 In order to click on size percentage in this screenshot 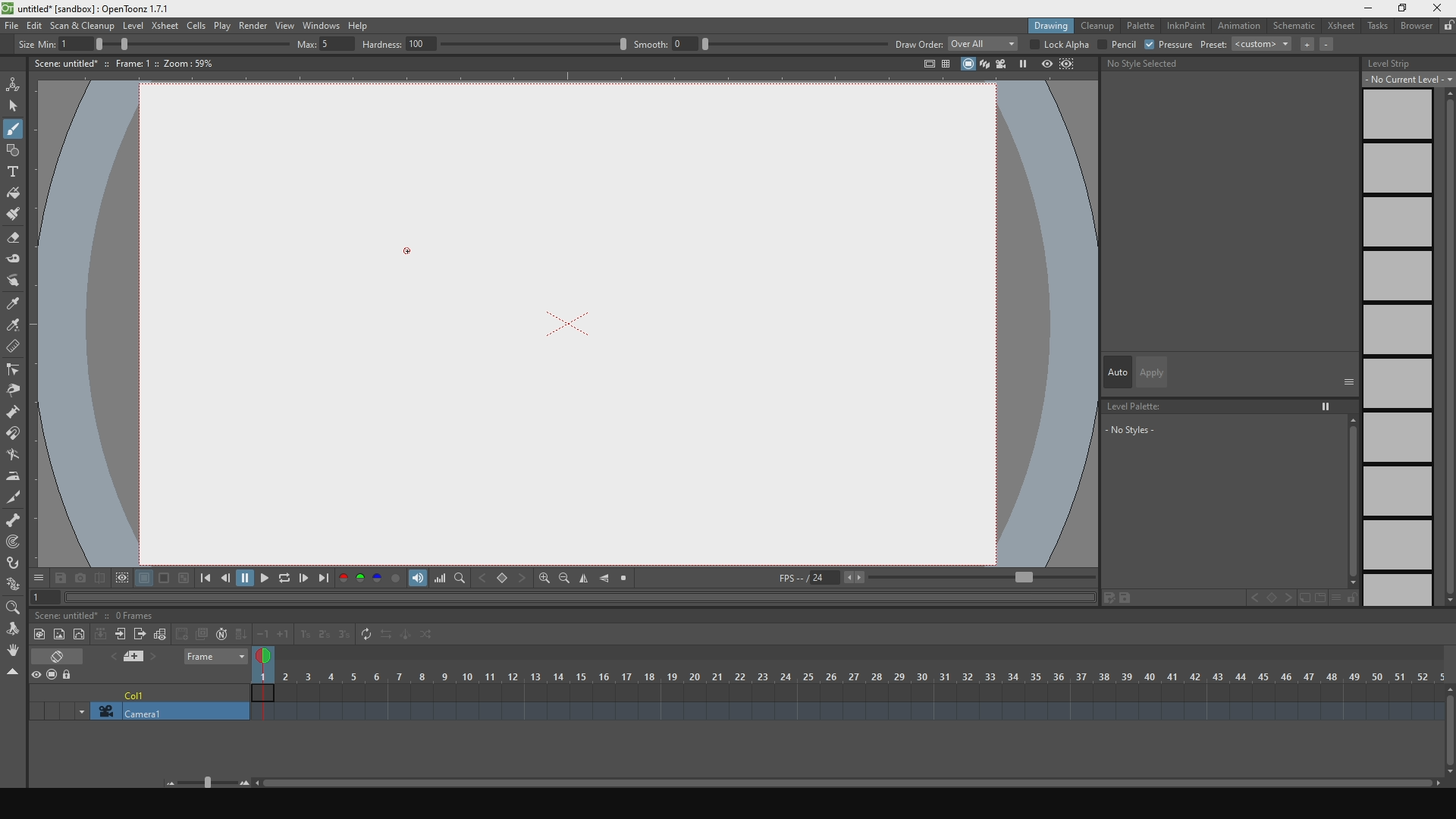, I will do `click(197, 44)`.